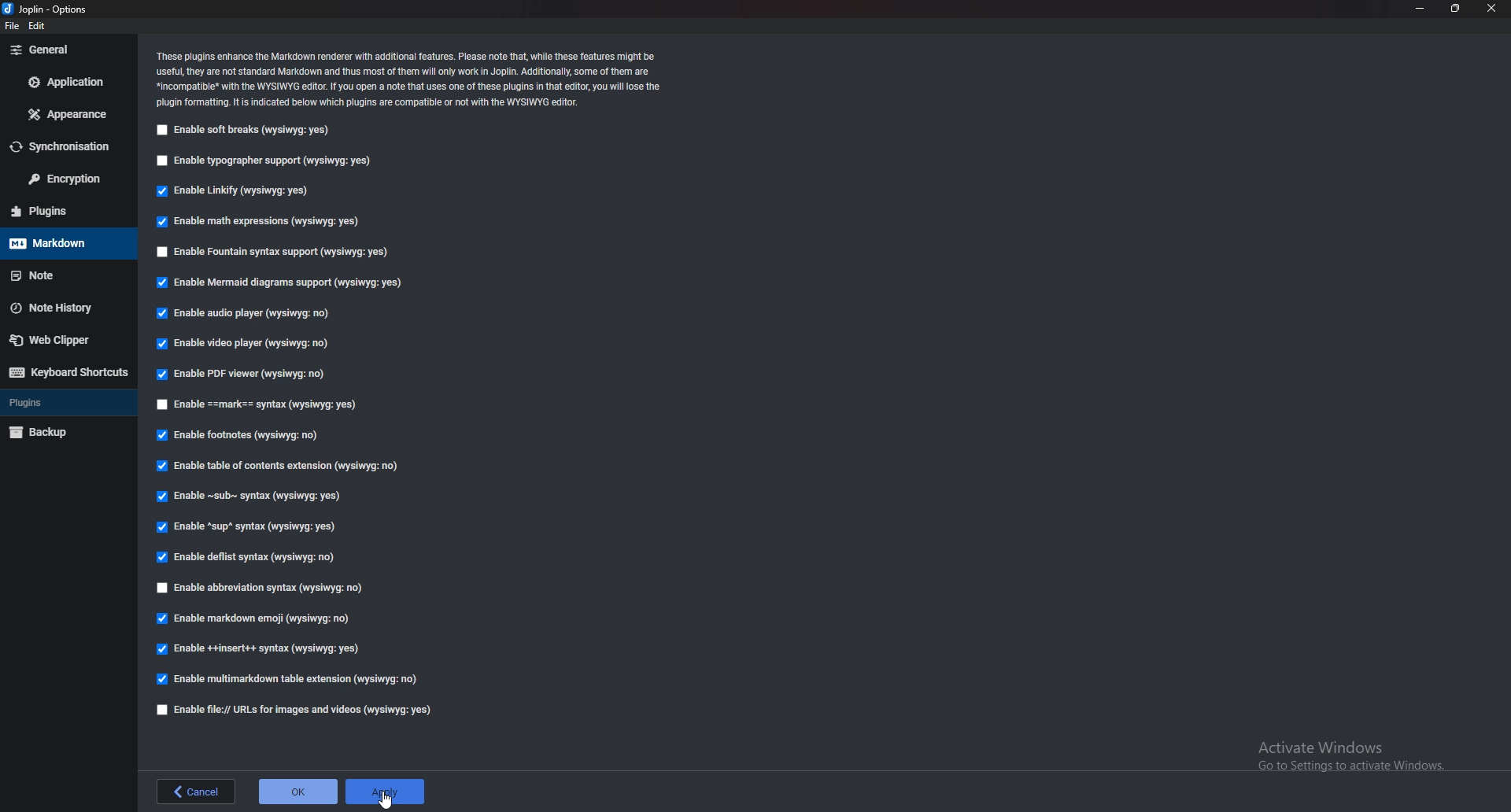 The height and width of the screenshot is (812, 1511). Describe the element at coordinates (38, 26) in the screenshot. I see `edit` at that location.